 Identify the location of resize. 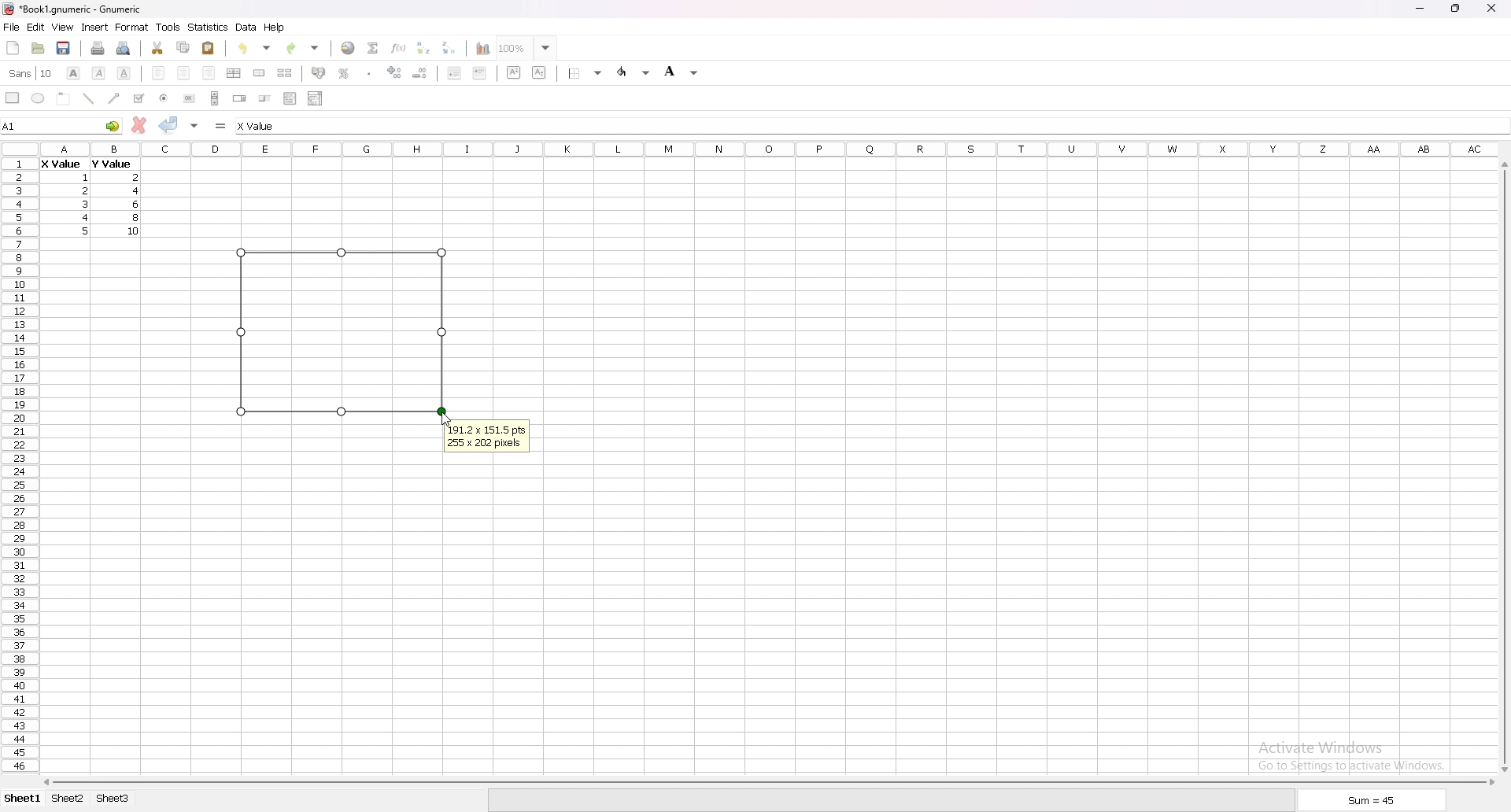
(1457, 9).